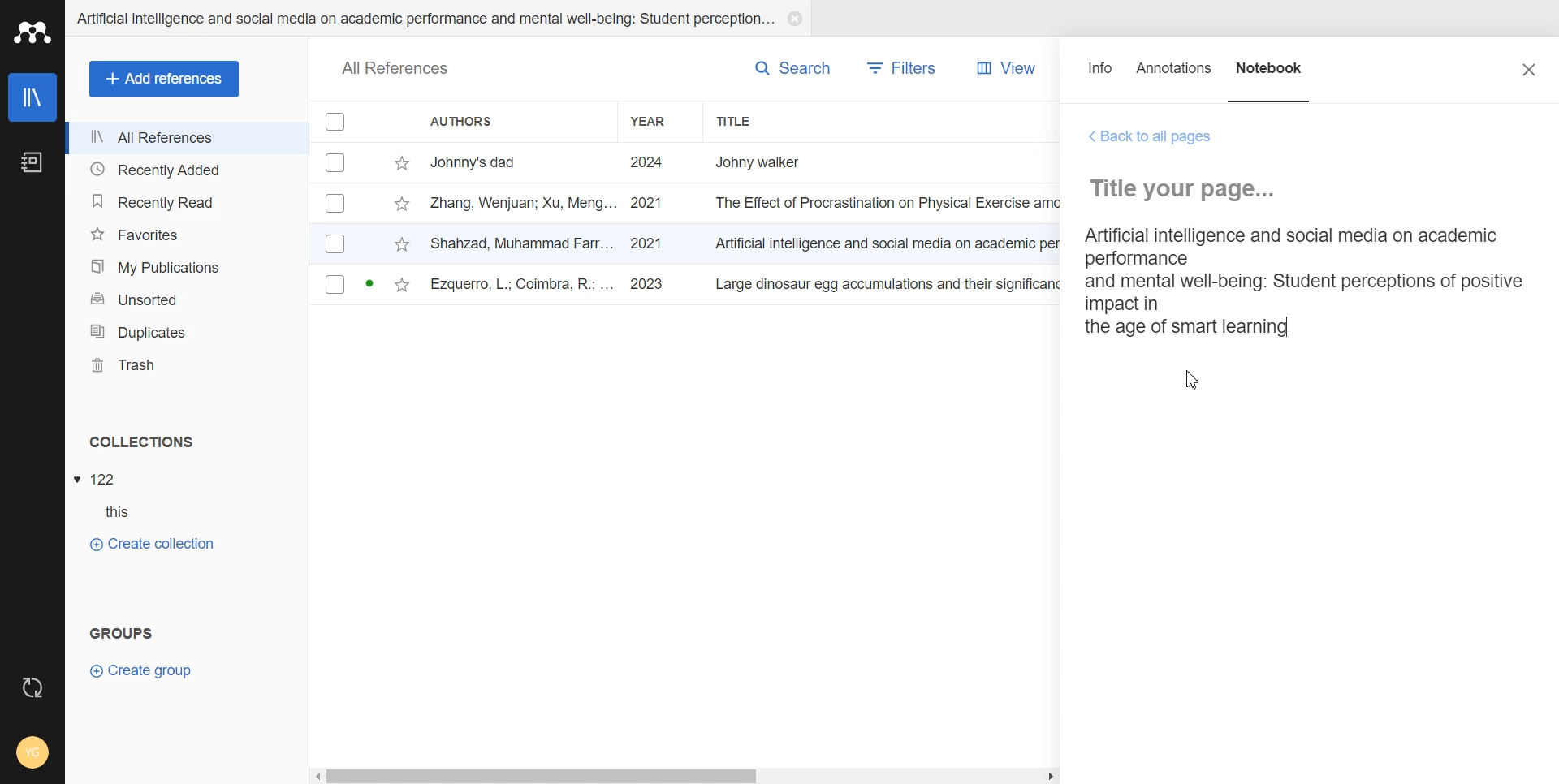  What do you see at coordinates (395, 70) in the screenshot?
I see `all references` at bounding box center [395, 70].